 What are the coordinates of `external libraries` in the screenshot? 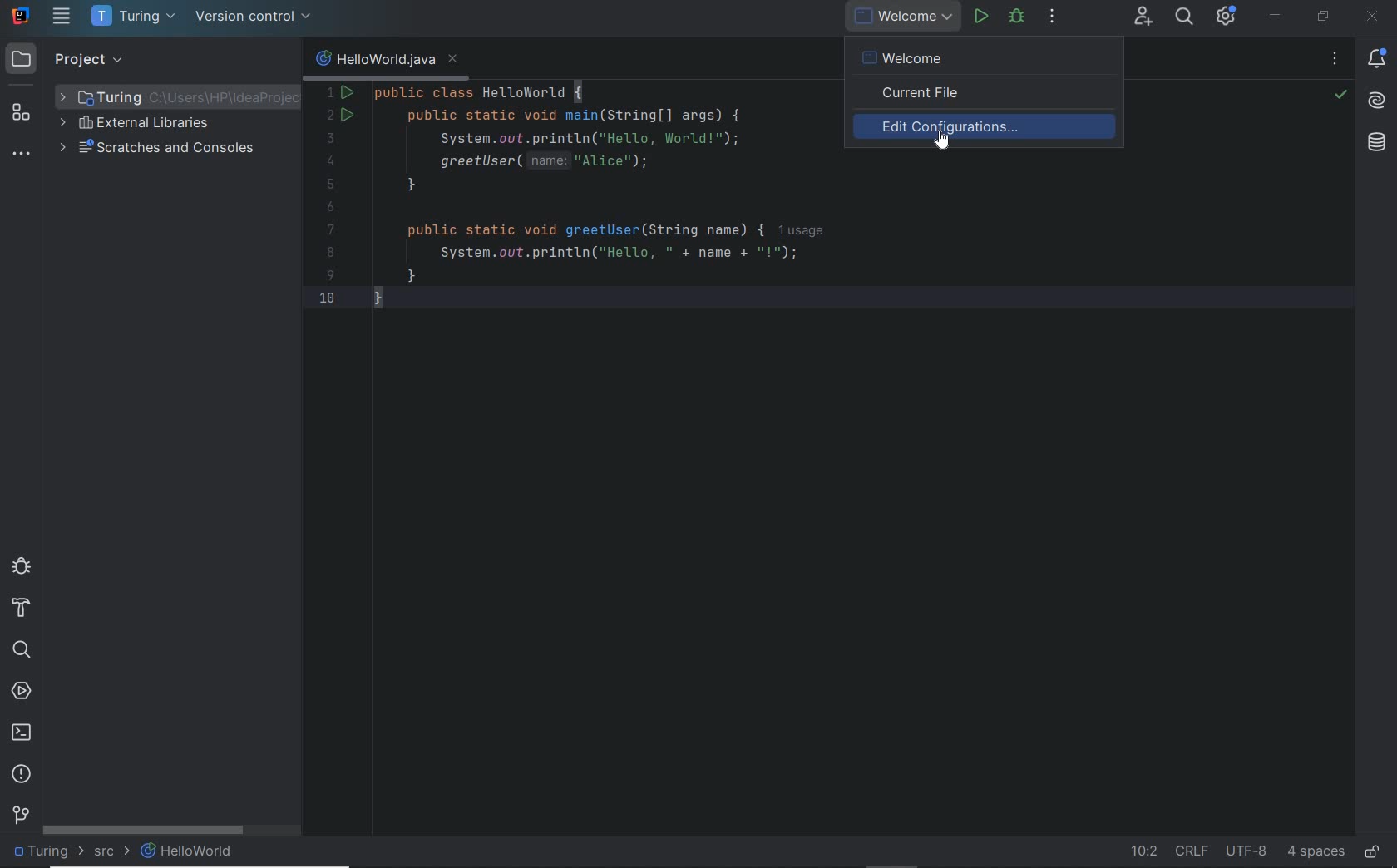 It's located at (134, 125).